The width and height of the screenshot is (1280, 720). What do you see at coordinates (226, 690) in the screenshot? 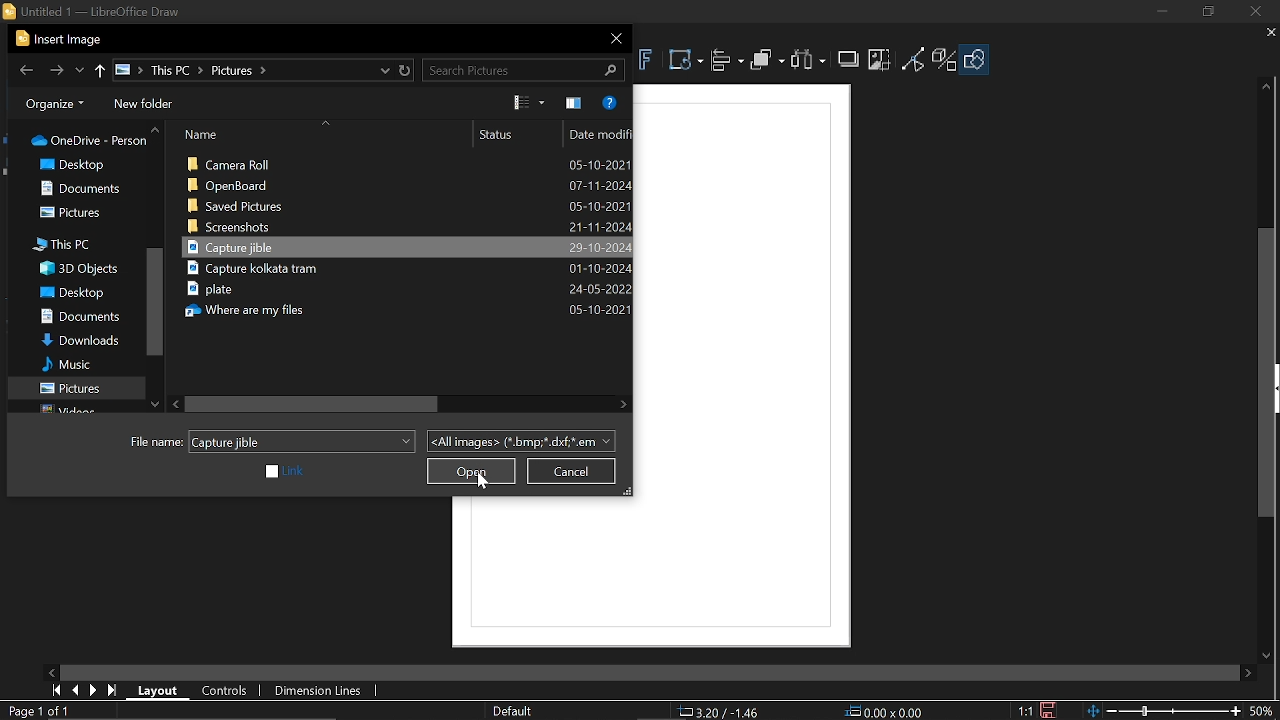
I see `Controls` at bounding box center [226, 690].